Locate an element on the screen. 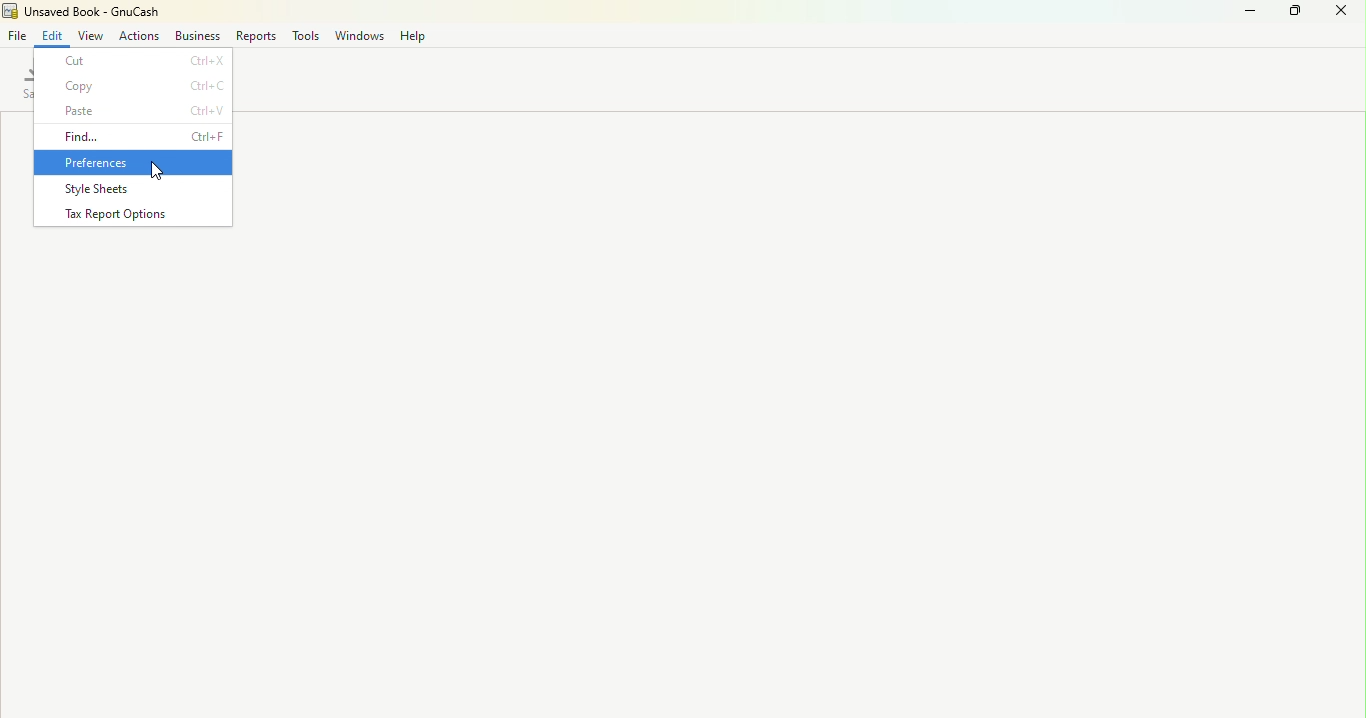  Reports is located at coordinates (254, 36).